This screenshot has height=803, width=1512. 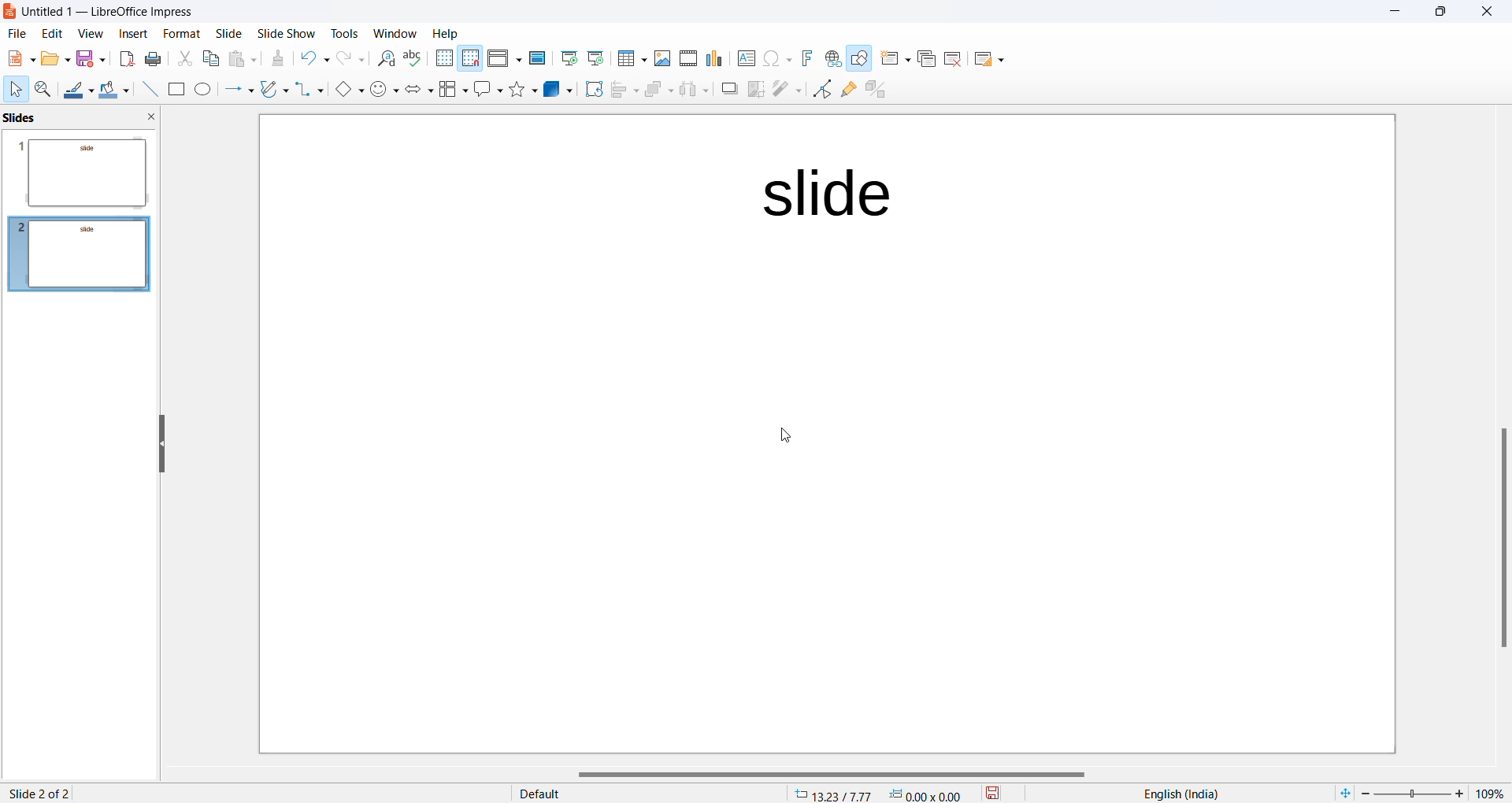 I want to click on Start from current slide, so click(x=595, y=60).